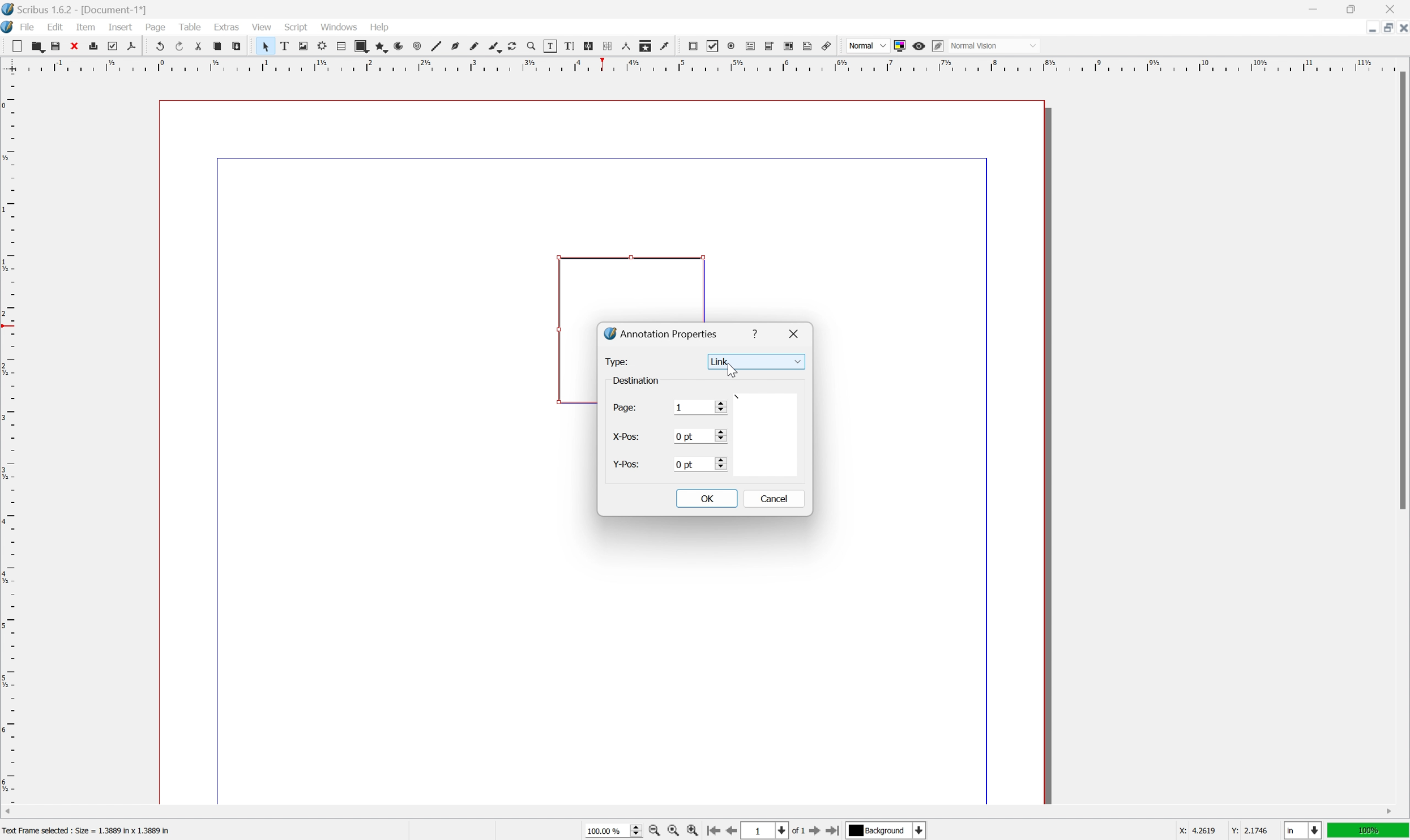 The width and height of the screenshot is (1410, 840). Describe the element at coordinates (703, 65) in the screenshot. I see `ruler` at that location.